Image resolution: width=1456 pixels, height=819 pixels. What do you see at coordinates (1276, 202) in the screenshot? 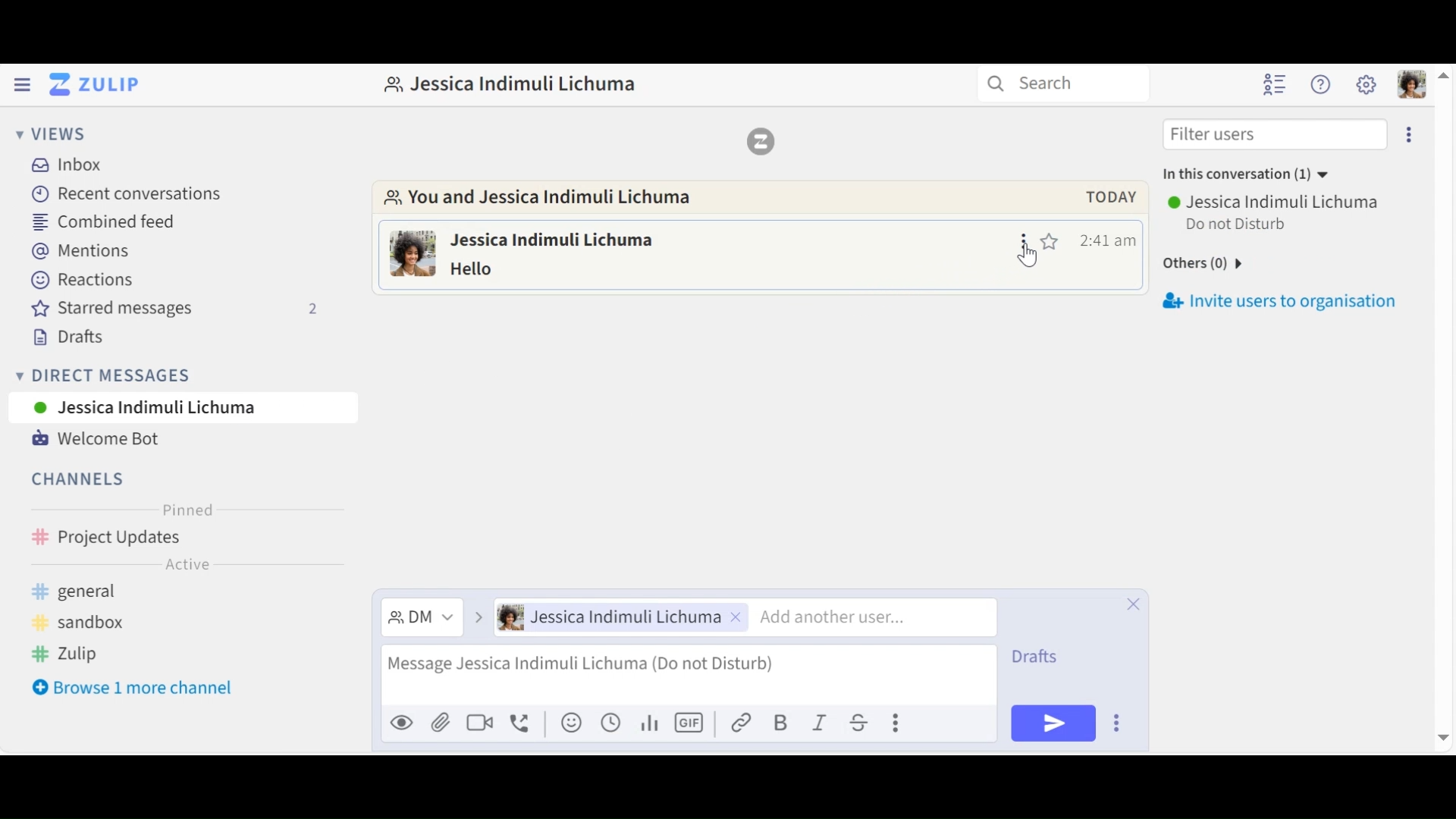
I see `User` at bounding box center [1276, 202].